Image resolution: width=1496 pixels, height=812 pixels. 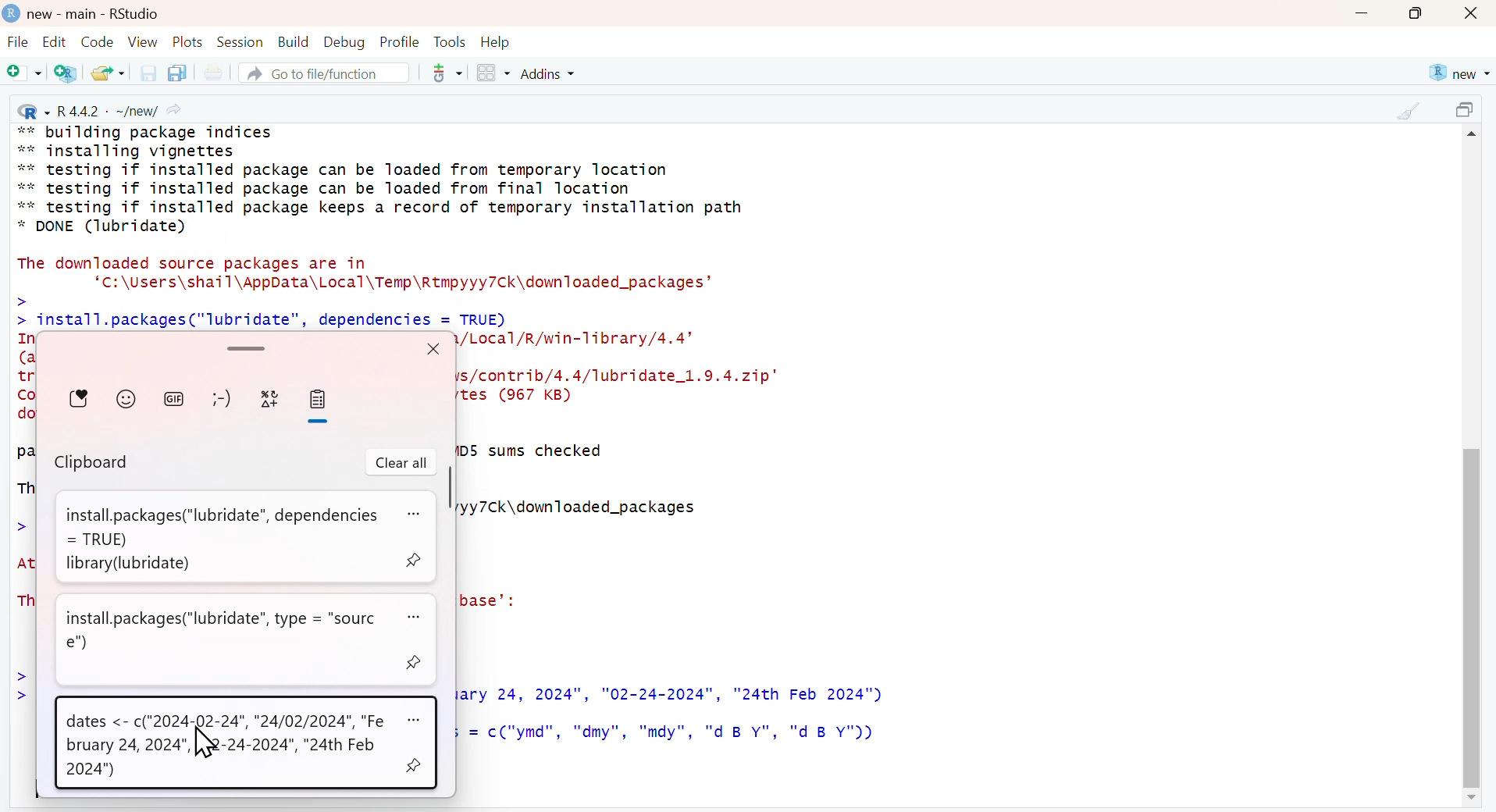 What do you see at coordinates (343, 41) in the screenshot?
I see `Debug` at bounding box center [343, 41].